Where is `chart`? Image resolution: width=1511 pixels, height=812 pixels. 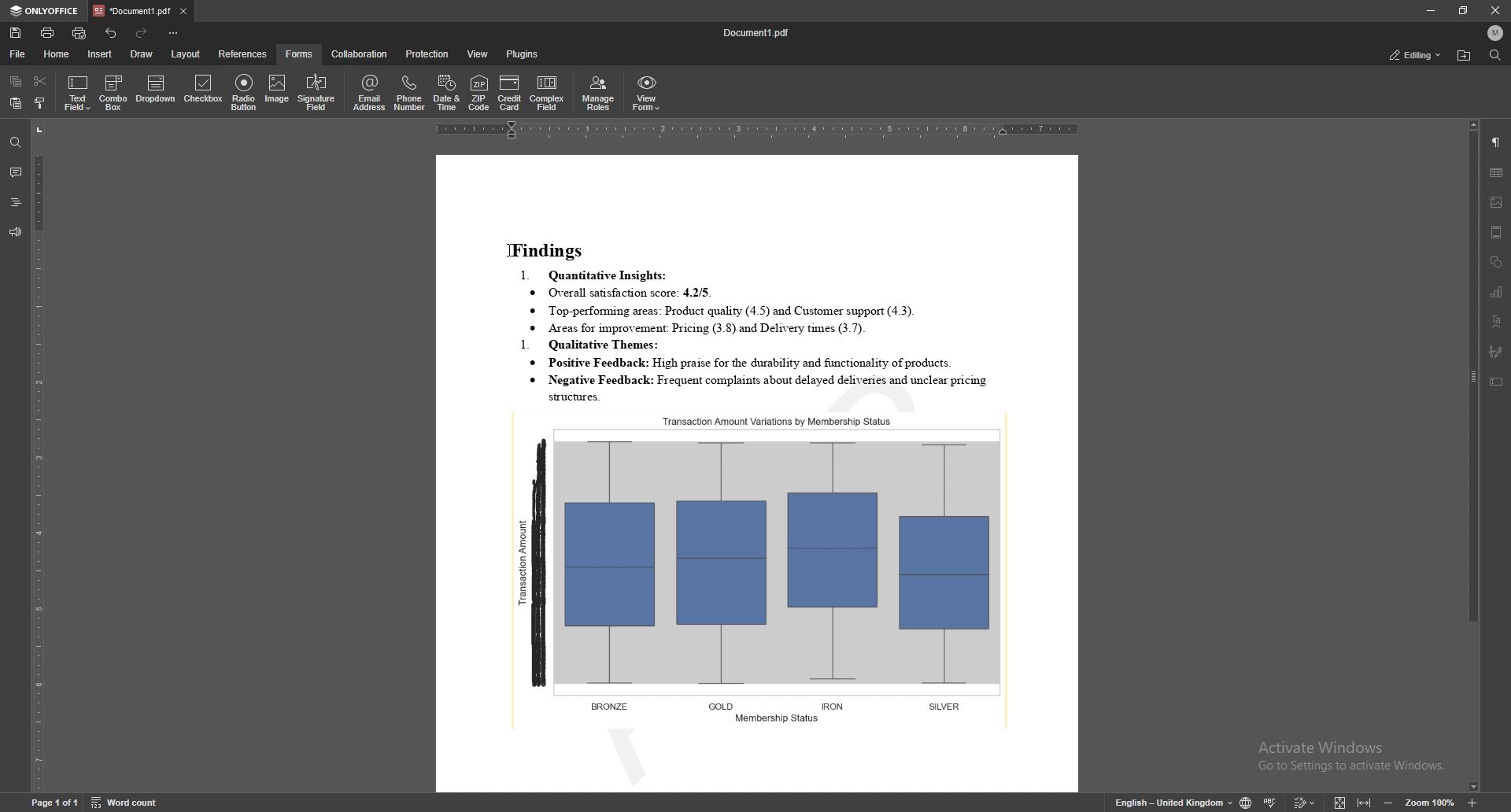
chart is located at coordinates (1497, 292).